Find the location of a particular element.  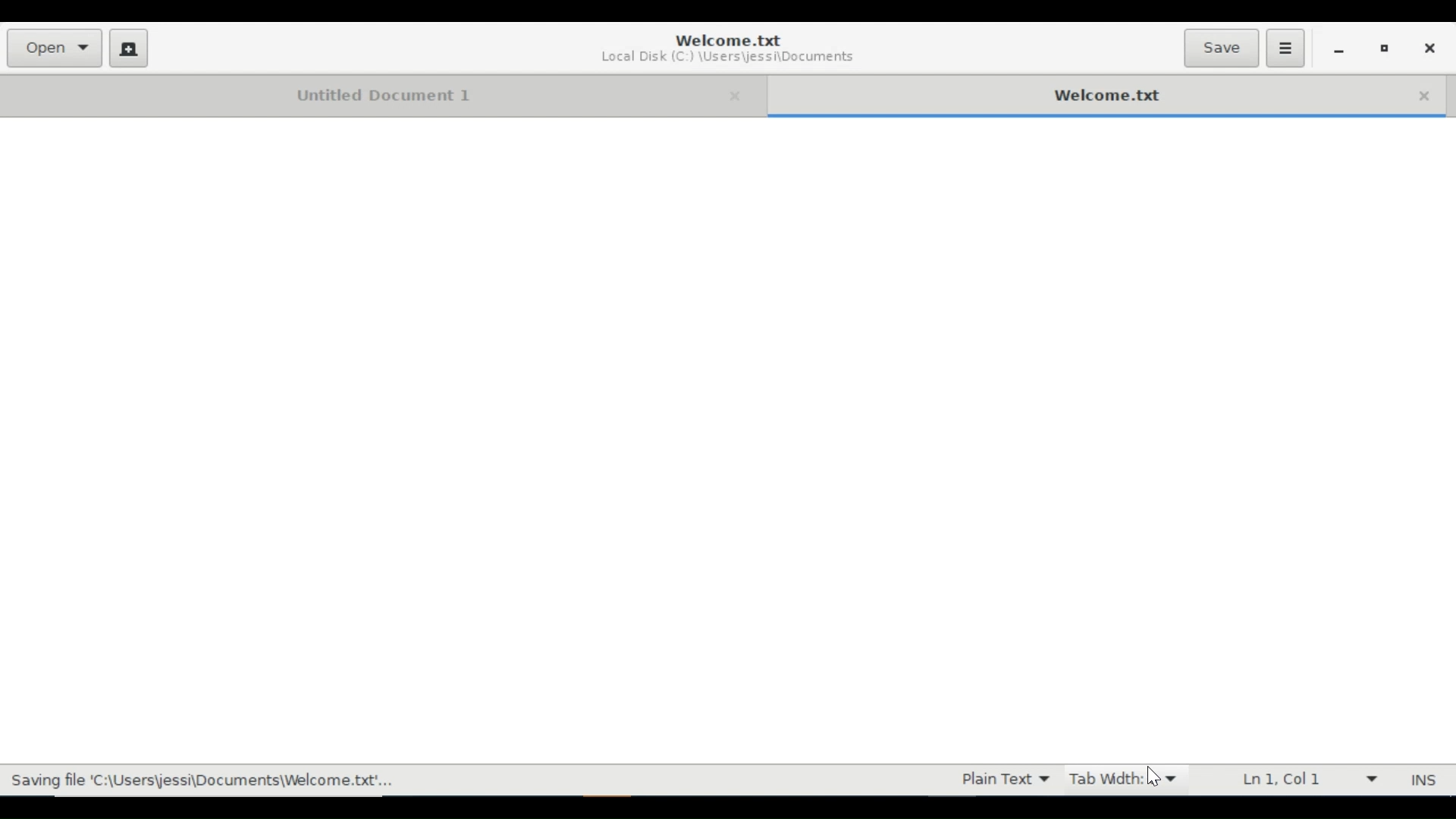

Ln 1 Col 1 is located at coordinates (1304, 779).